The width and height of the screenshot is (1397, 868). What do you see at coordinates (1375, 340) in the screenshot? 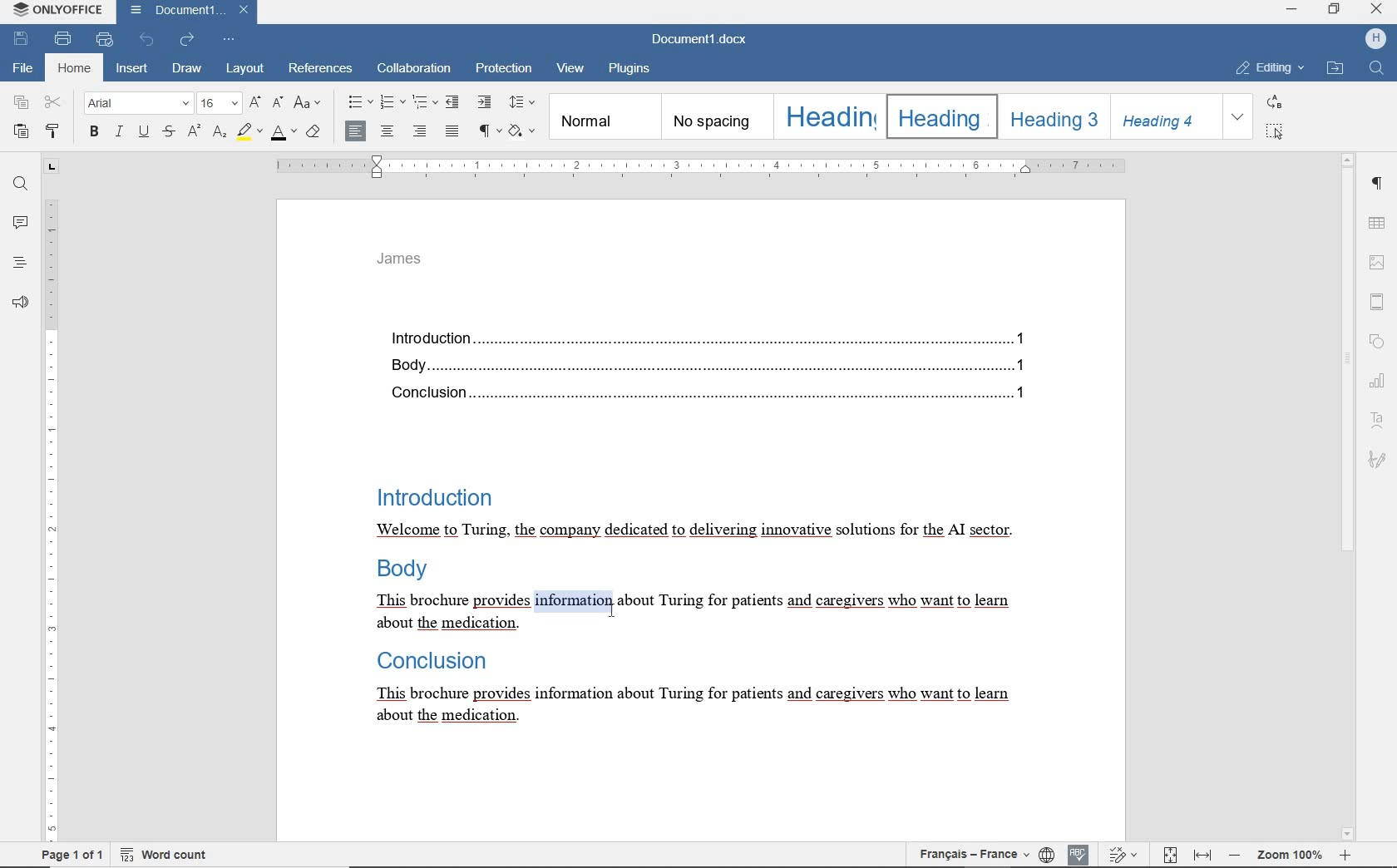
I see `SHAPE` at bounding box center [1375, 340].